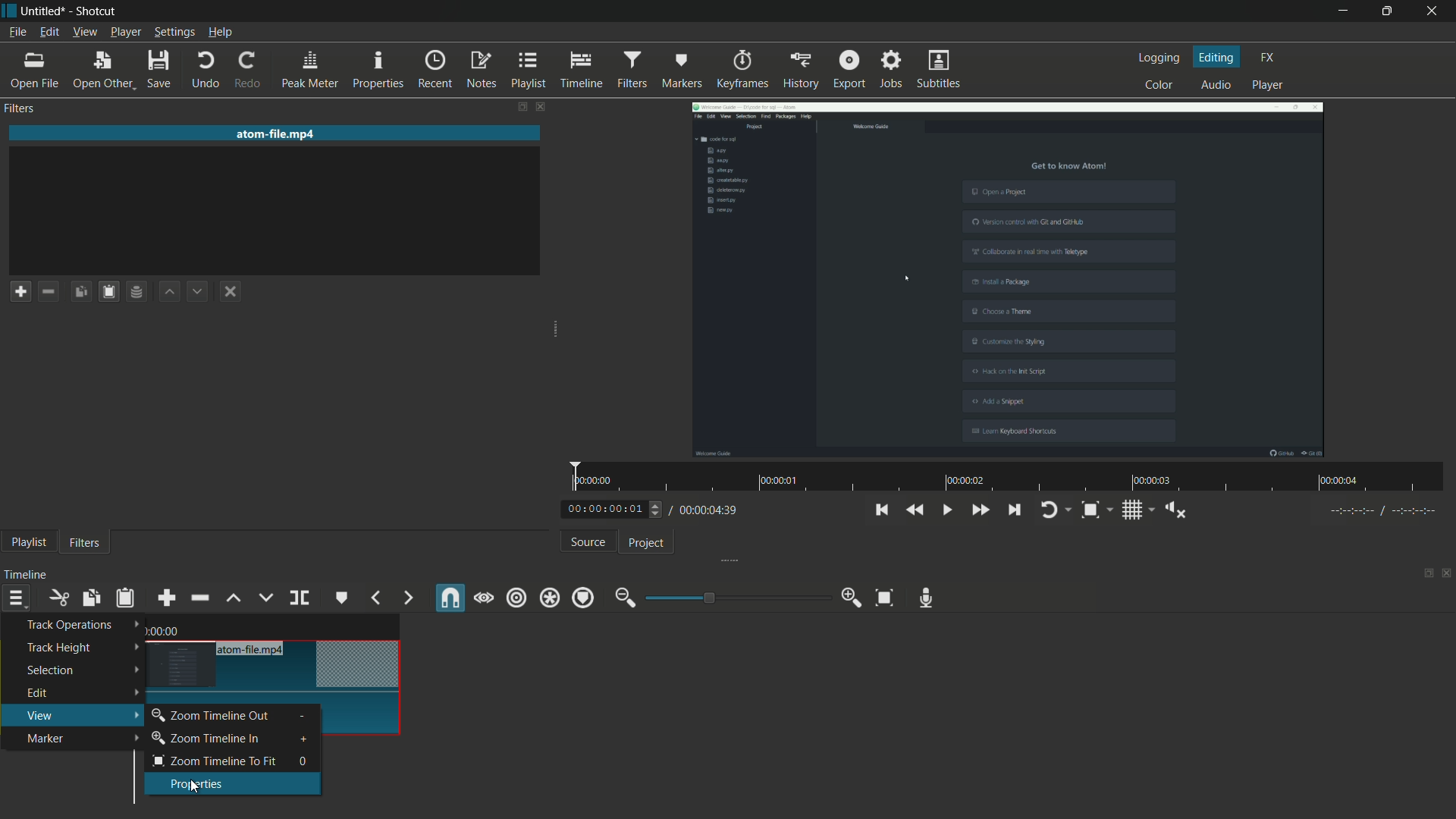 This screenshot has height=819, width=1456. What do you see at coordinates (20, 291) in the screenshot?
I see `add a filter` at bounding box center [20, 291].